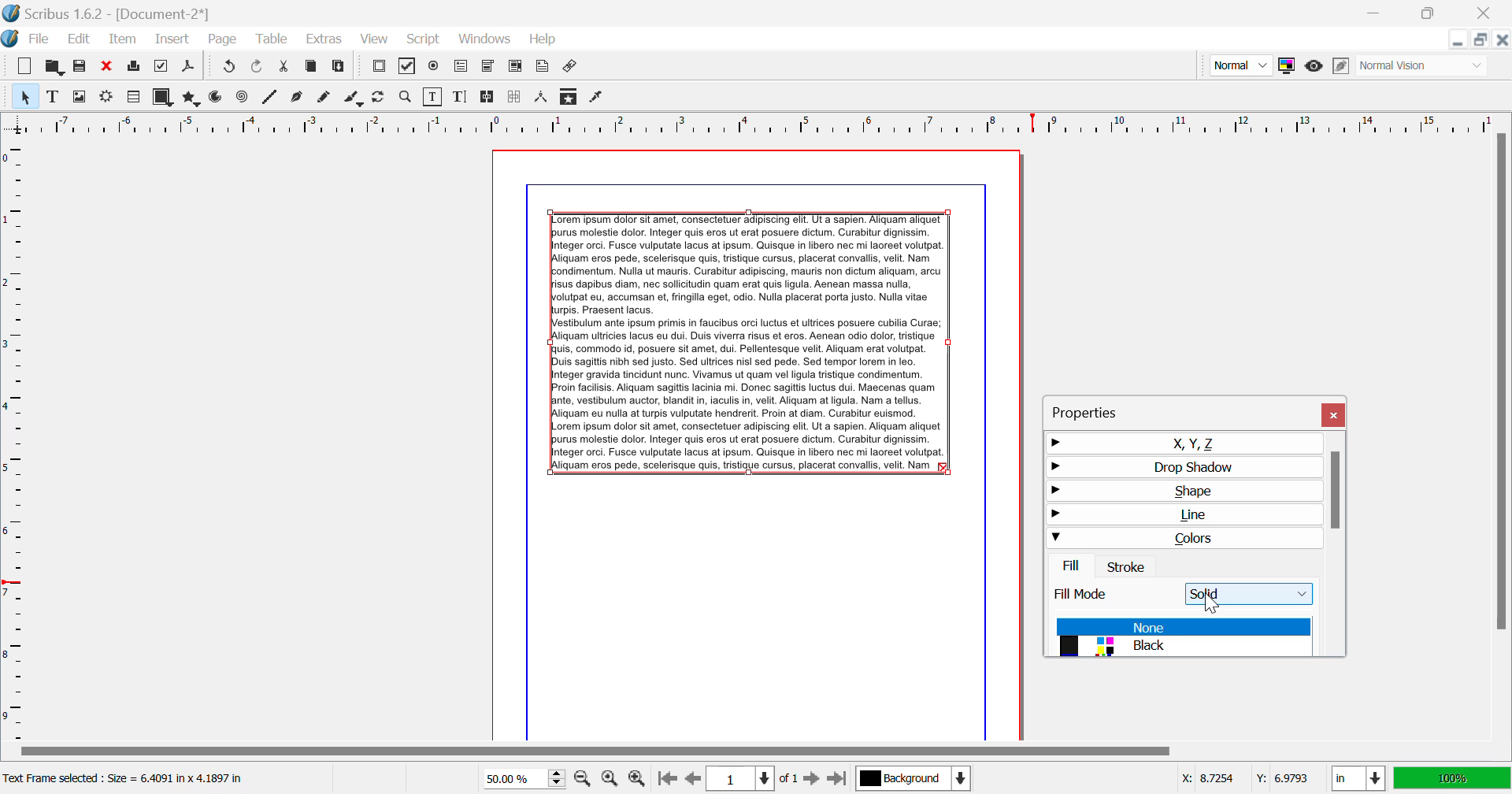 The image size is (1512, 794). I want to click on Pdf Radio Button, so click(434, 68).